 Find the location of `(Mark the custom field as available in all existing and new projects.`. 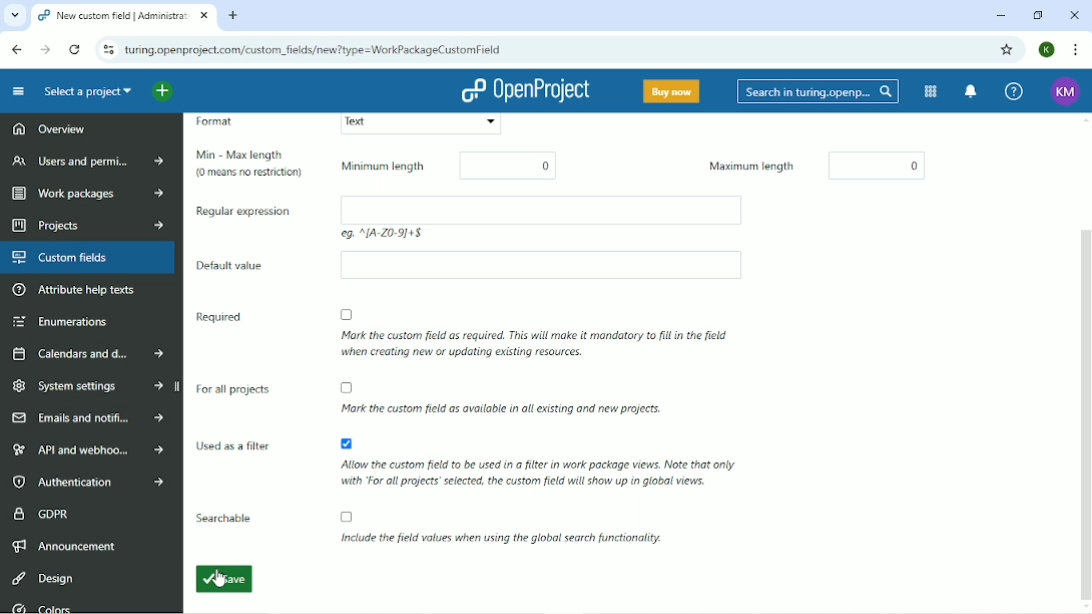

(Mark the custom field as available in all existing and new projects. is located at coordinates (534, 401).